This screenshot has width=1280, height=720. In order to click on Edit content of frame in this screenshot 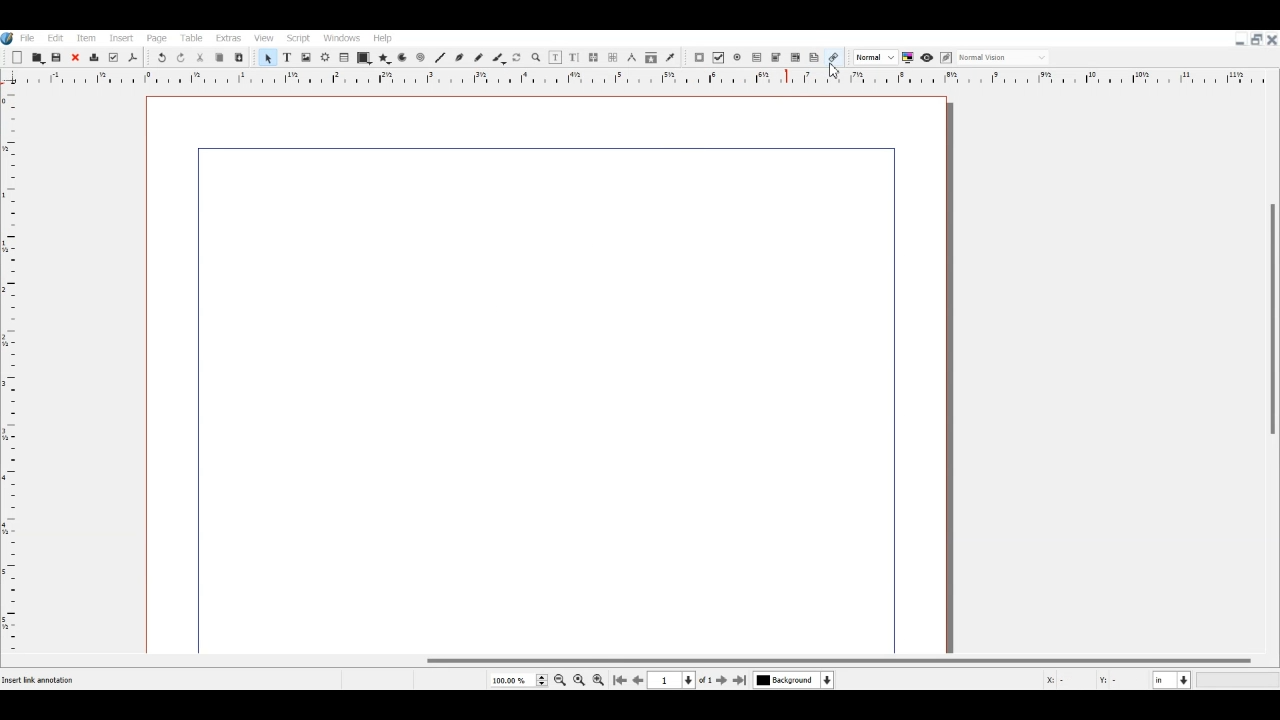, I will do `click(555, 57)`.